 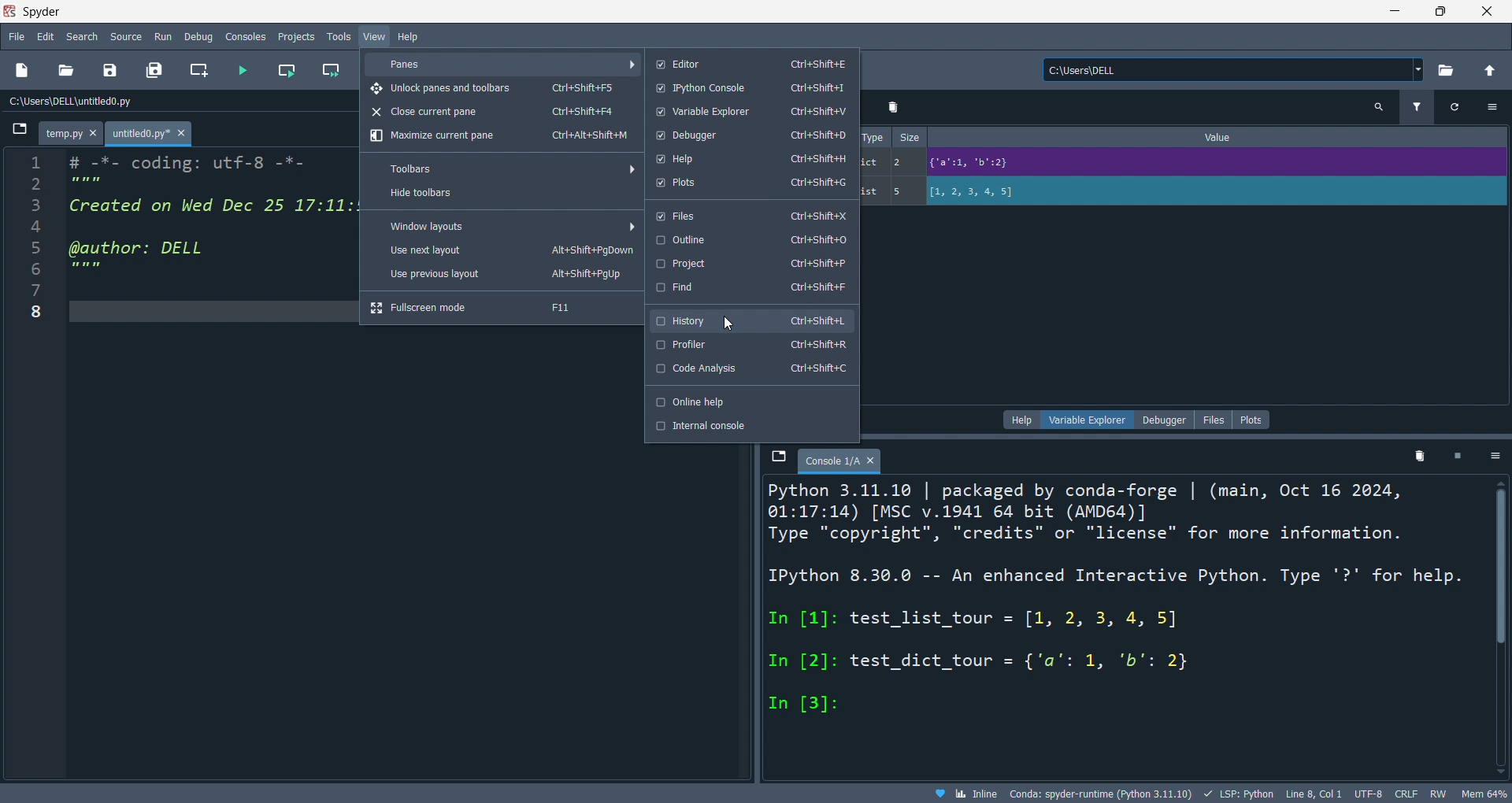 I want to click on language, so click(x=1237, y=794).